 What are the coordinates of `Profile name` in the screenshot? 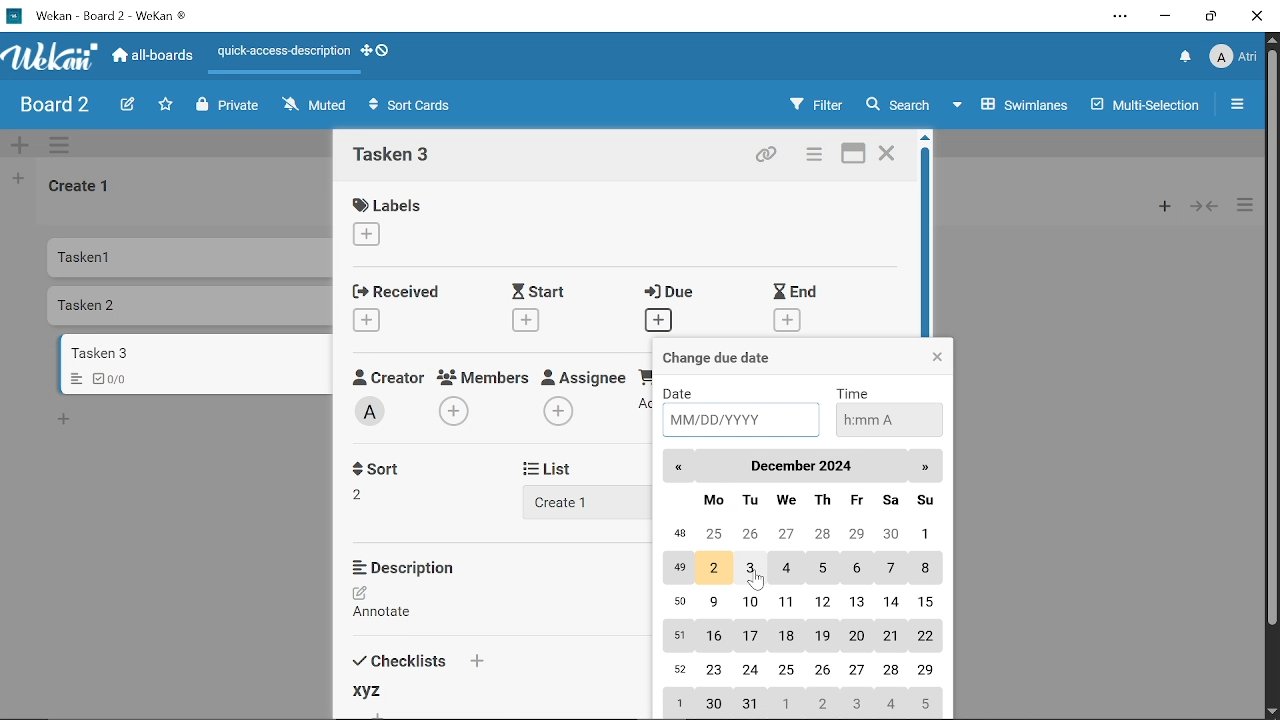 It's located at (1234, 55).